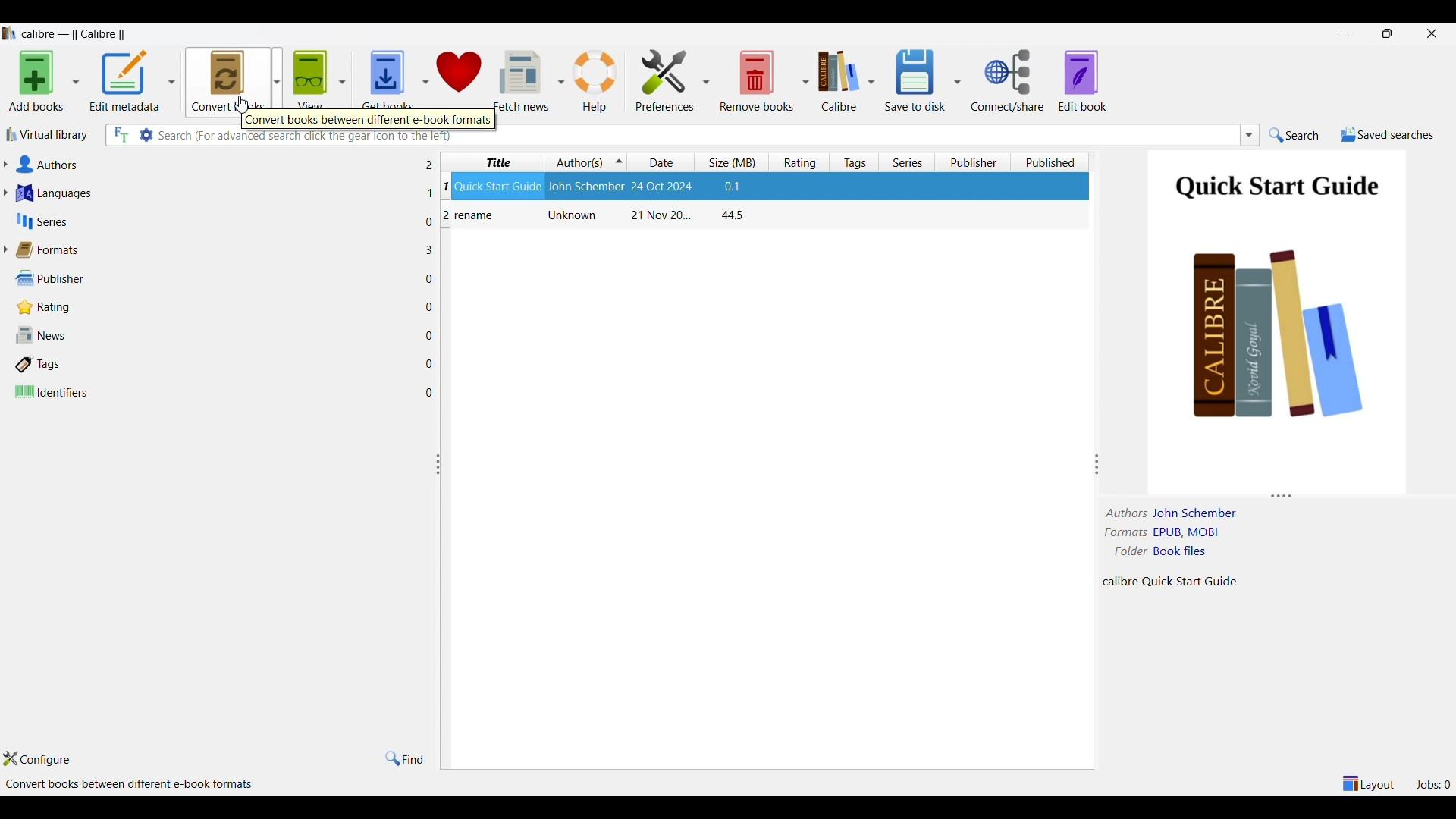 Image resolution: width=1456 pixels, height=819 pixels. What do you see at coordinates (596, 82) in the screenshot?
I see `Help` at bounding box center [596, 82].